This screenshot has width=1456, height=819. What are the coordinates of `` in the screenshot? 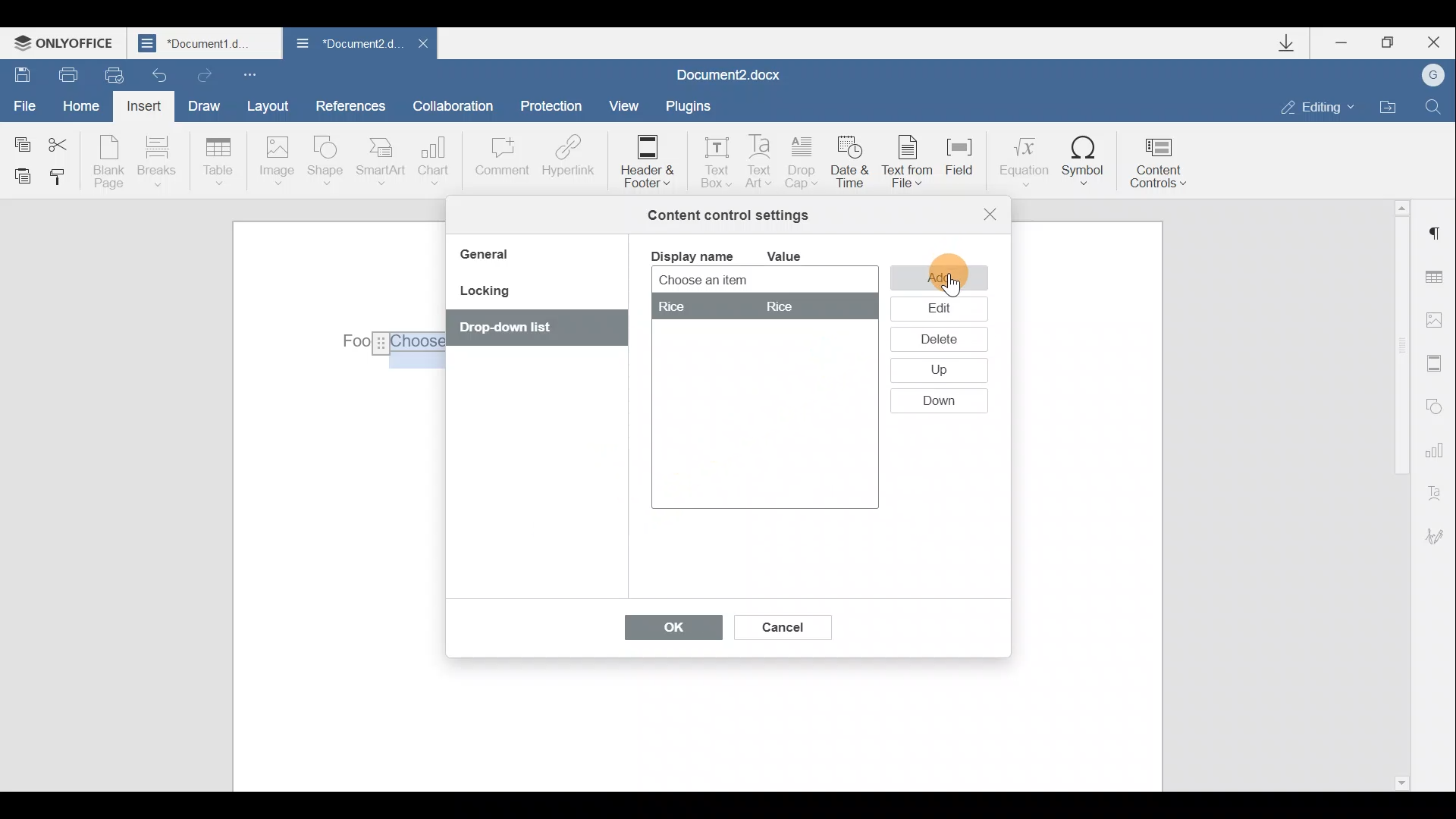 It's located at (390, 341).